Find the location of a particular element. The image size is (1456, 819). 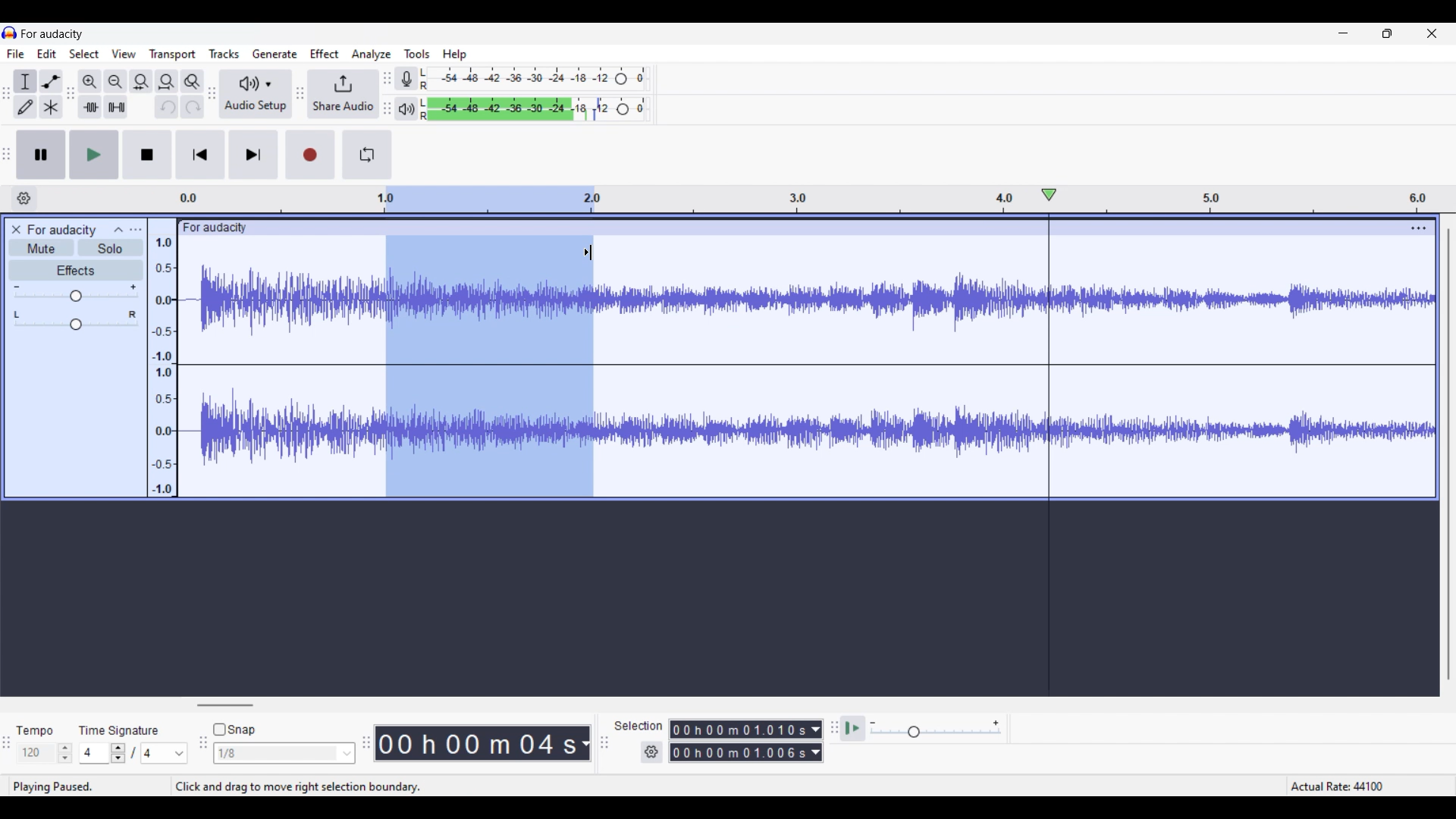

File menu is located at coordinates (16, 54).